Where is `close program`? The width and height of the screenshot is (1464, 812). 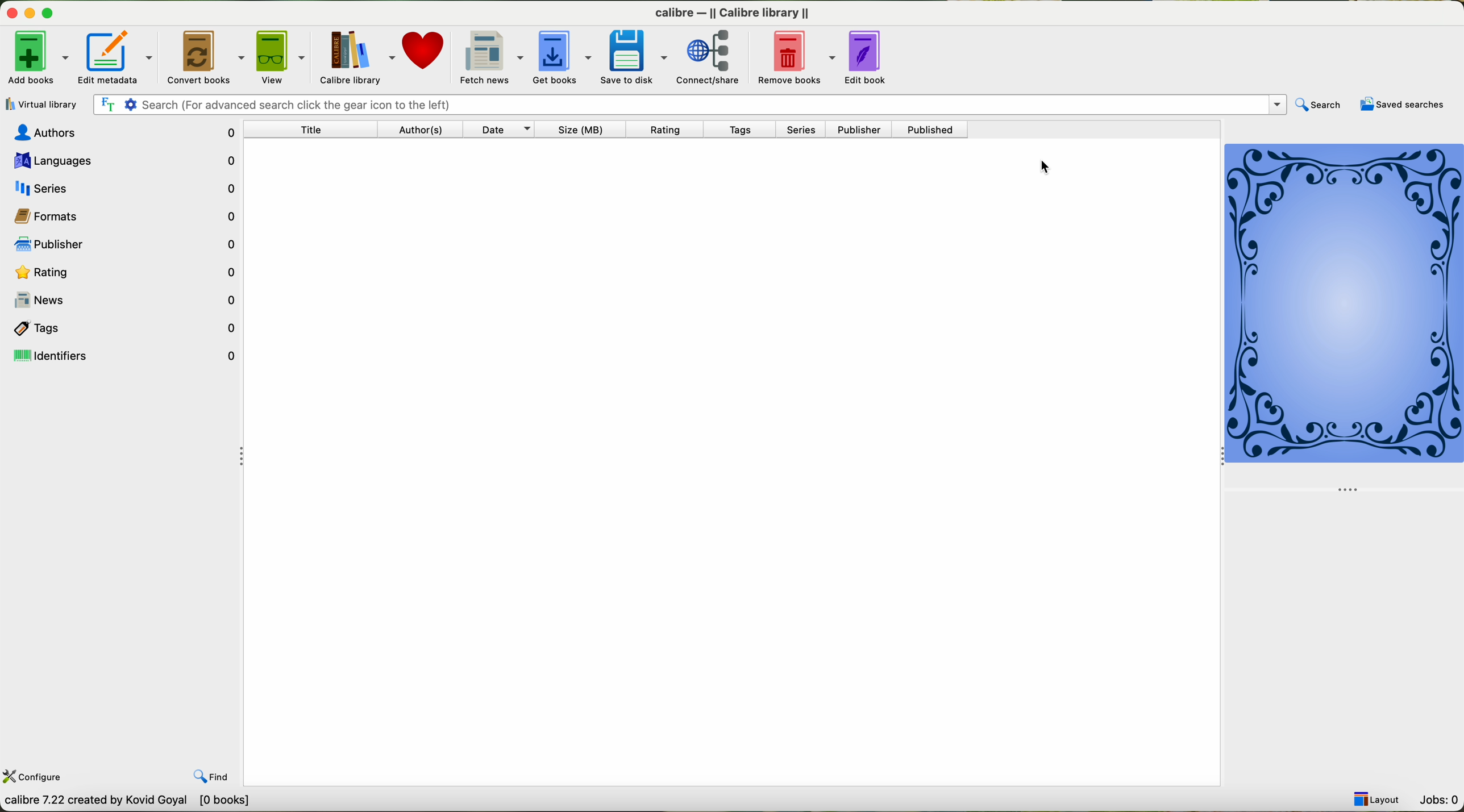
close program is located at coordinates (11, 13).